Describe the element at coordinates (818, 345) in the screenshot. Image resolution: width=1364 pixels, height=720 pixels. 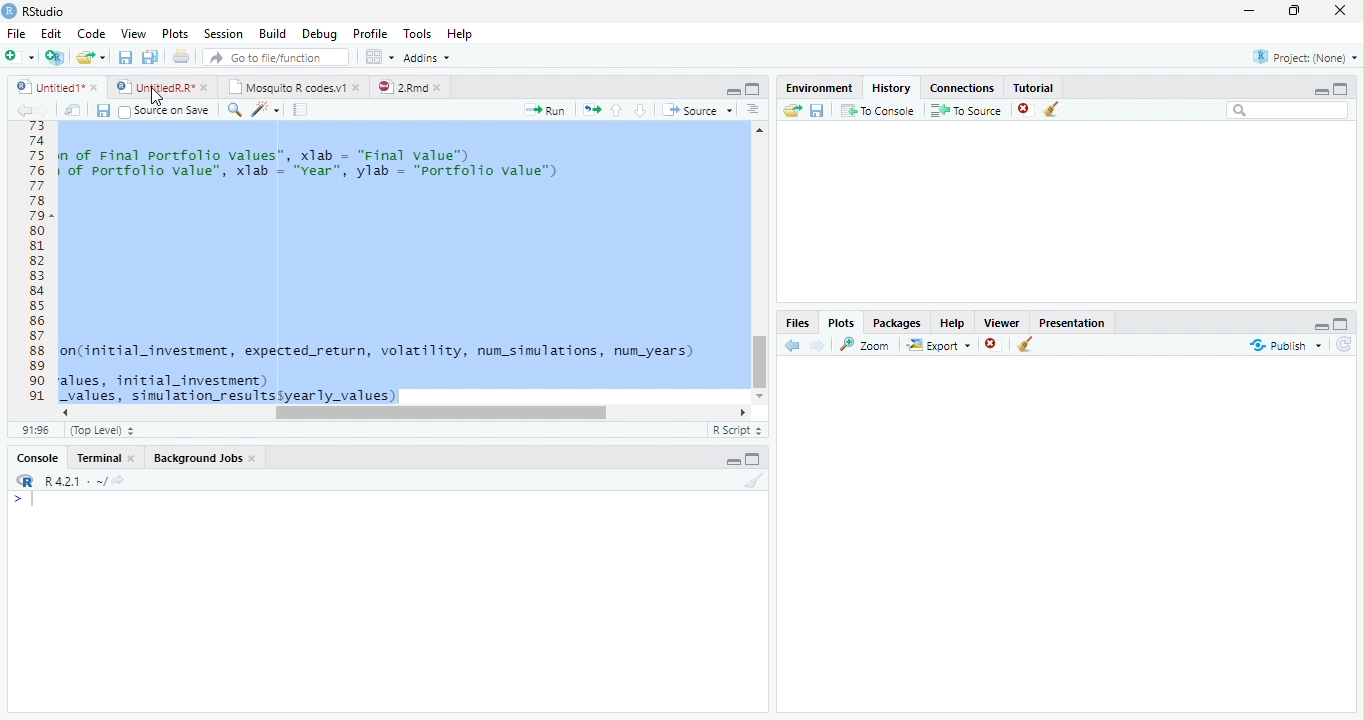
I see `Next Plot` at that location.